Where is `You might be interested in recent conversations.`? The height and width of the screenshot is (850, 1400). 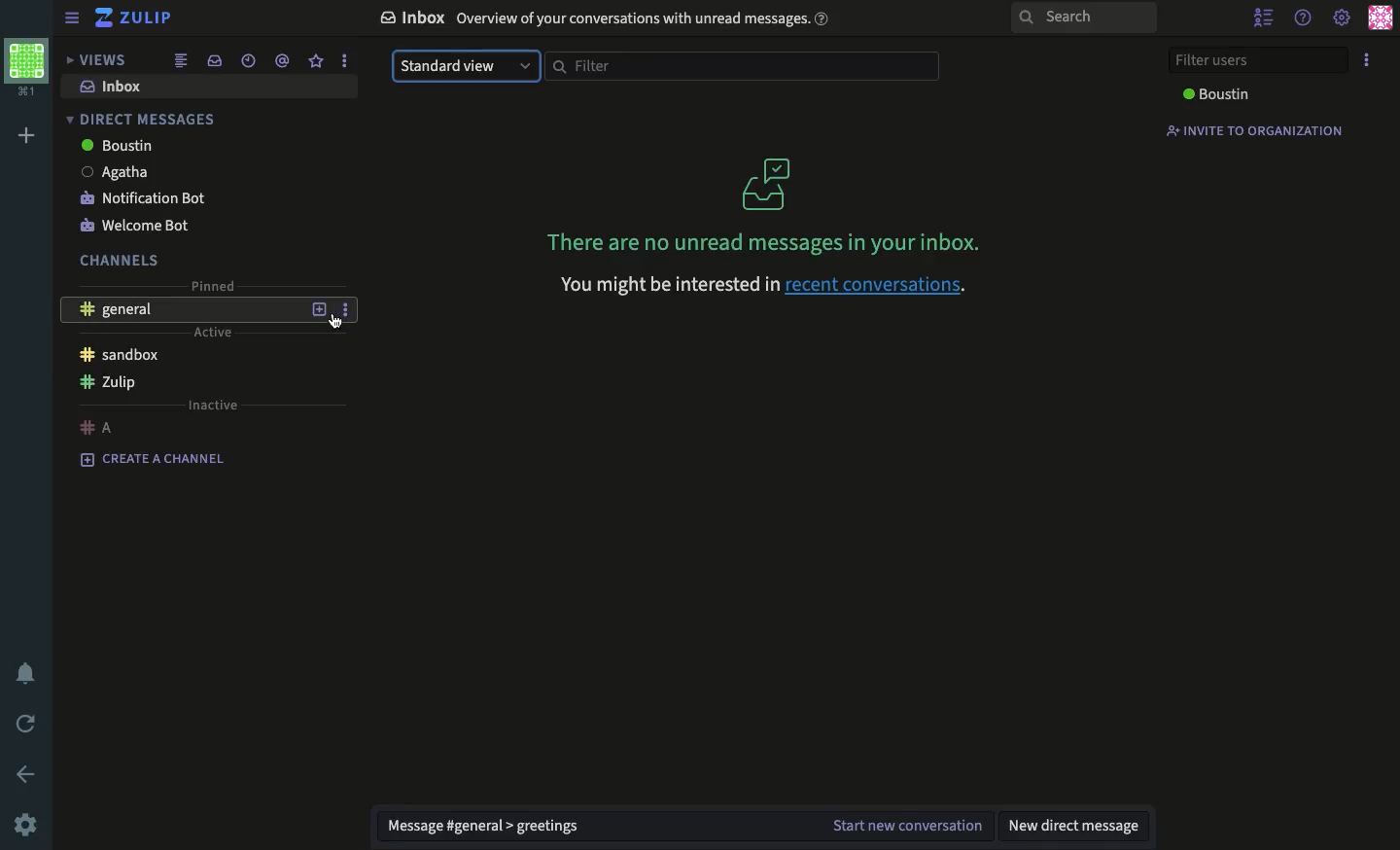 You might be interested in recent conversations. is located at coordinates (758, 287).